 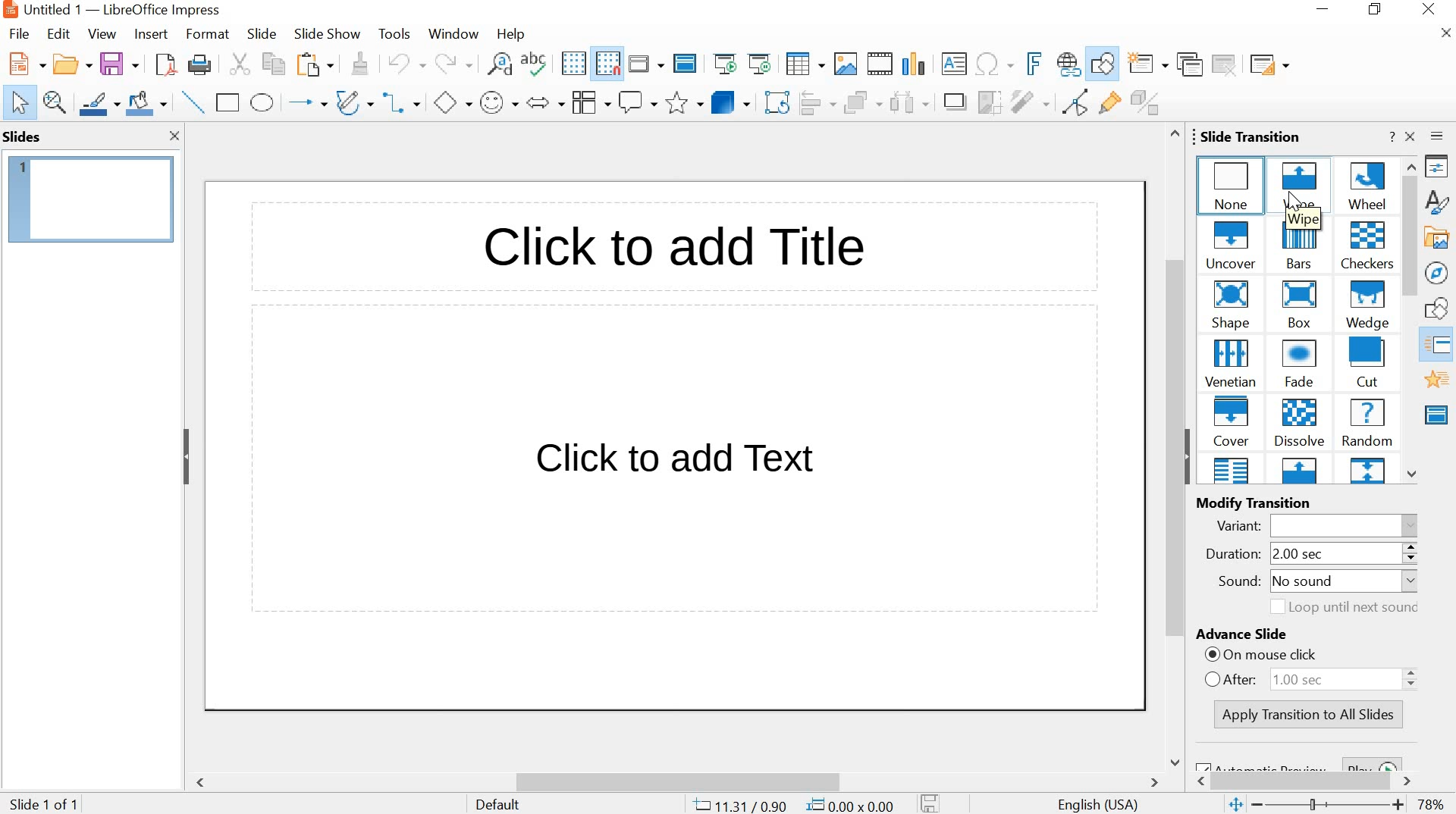 What do you see at coordinates (1366, 306) in the screenshot?
I see `WEDGE` at bounding box center [1366, 306].